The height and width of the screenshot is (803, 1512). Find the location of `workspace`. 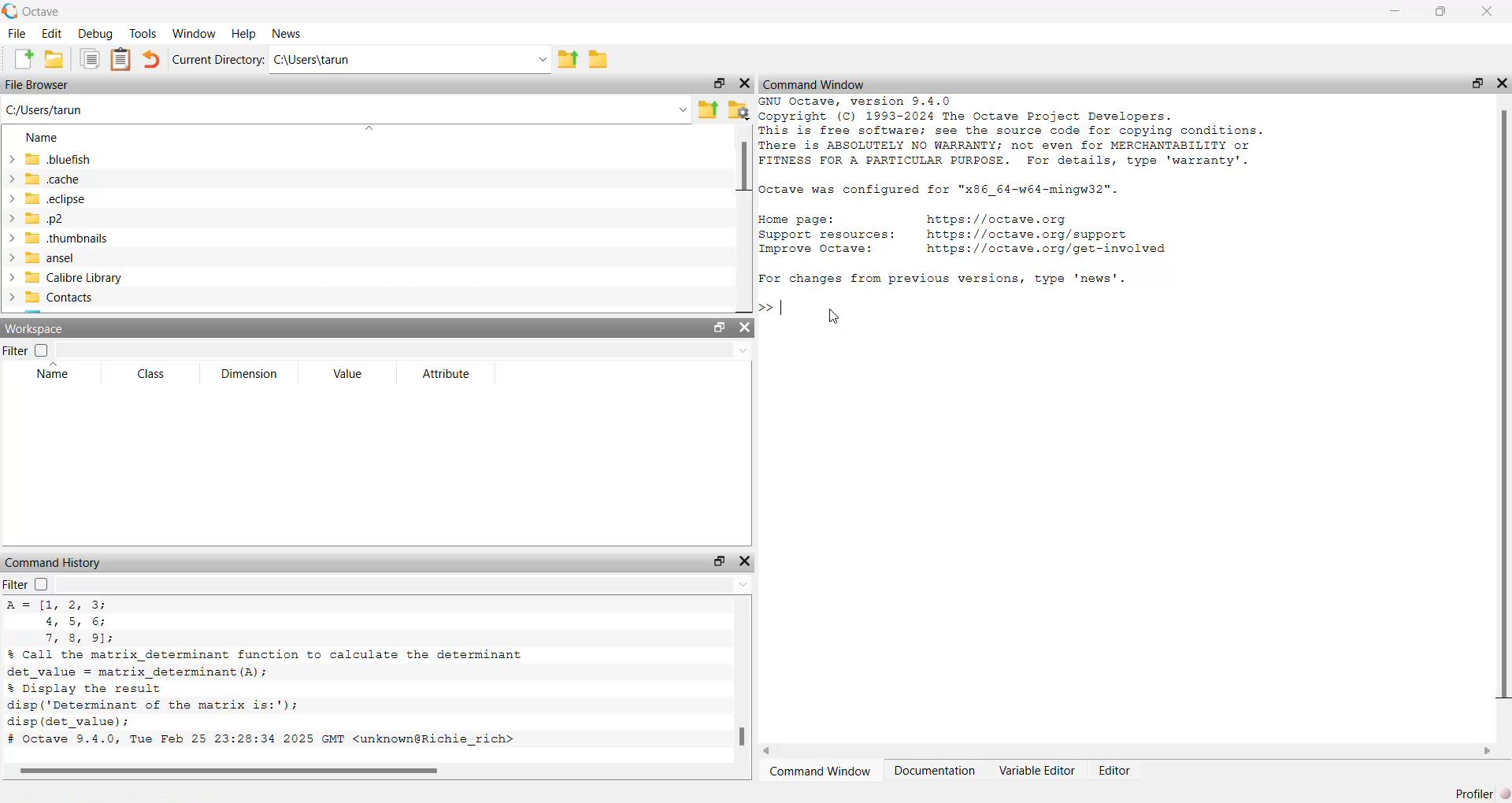

workspace is located at coordinates (35, 330).